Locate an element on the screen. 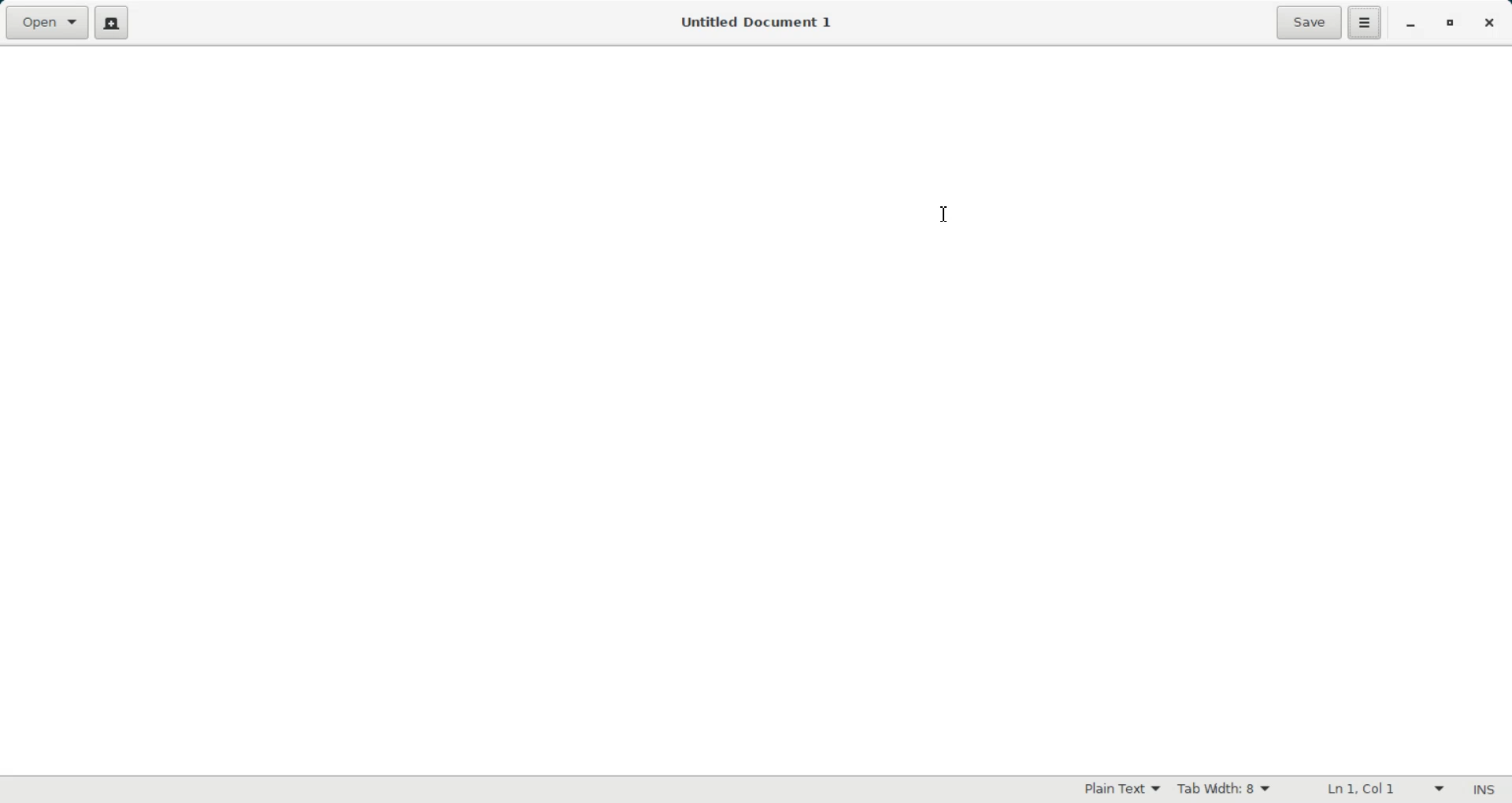 Image resolution: width=1512 pixels, height=803 pixels. Maximize is located at coordinates (1449, 24).